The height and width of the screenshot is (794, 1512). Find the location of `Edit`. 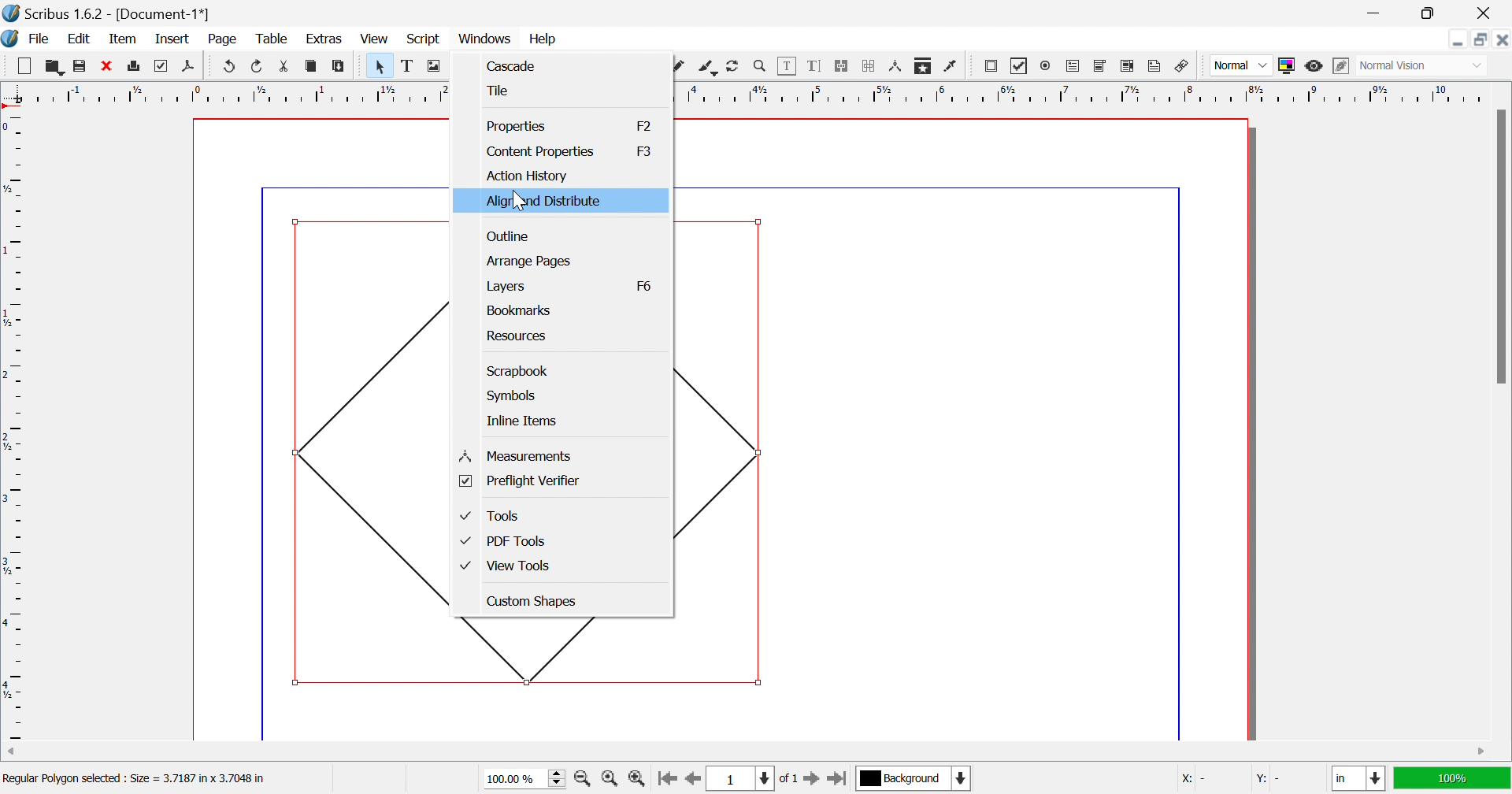

Edit is located at coordinates (83, 40).